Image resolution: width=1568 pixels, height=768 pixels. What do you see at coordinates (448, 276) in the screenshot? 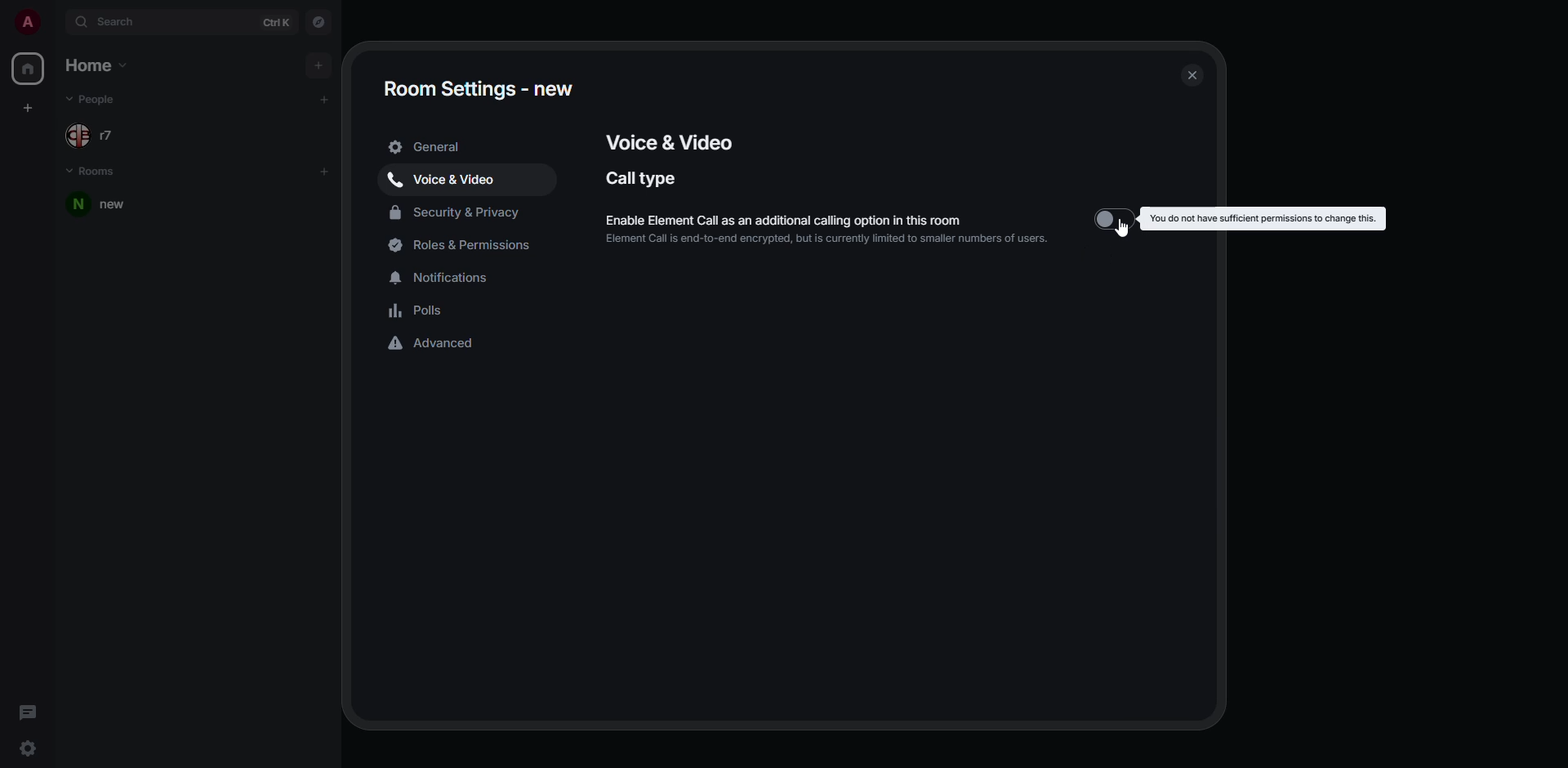
I see `notifications` at bounding box center [448, 276].